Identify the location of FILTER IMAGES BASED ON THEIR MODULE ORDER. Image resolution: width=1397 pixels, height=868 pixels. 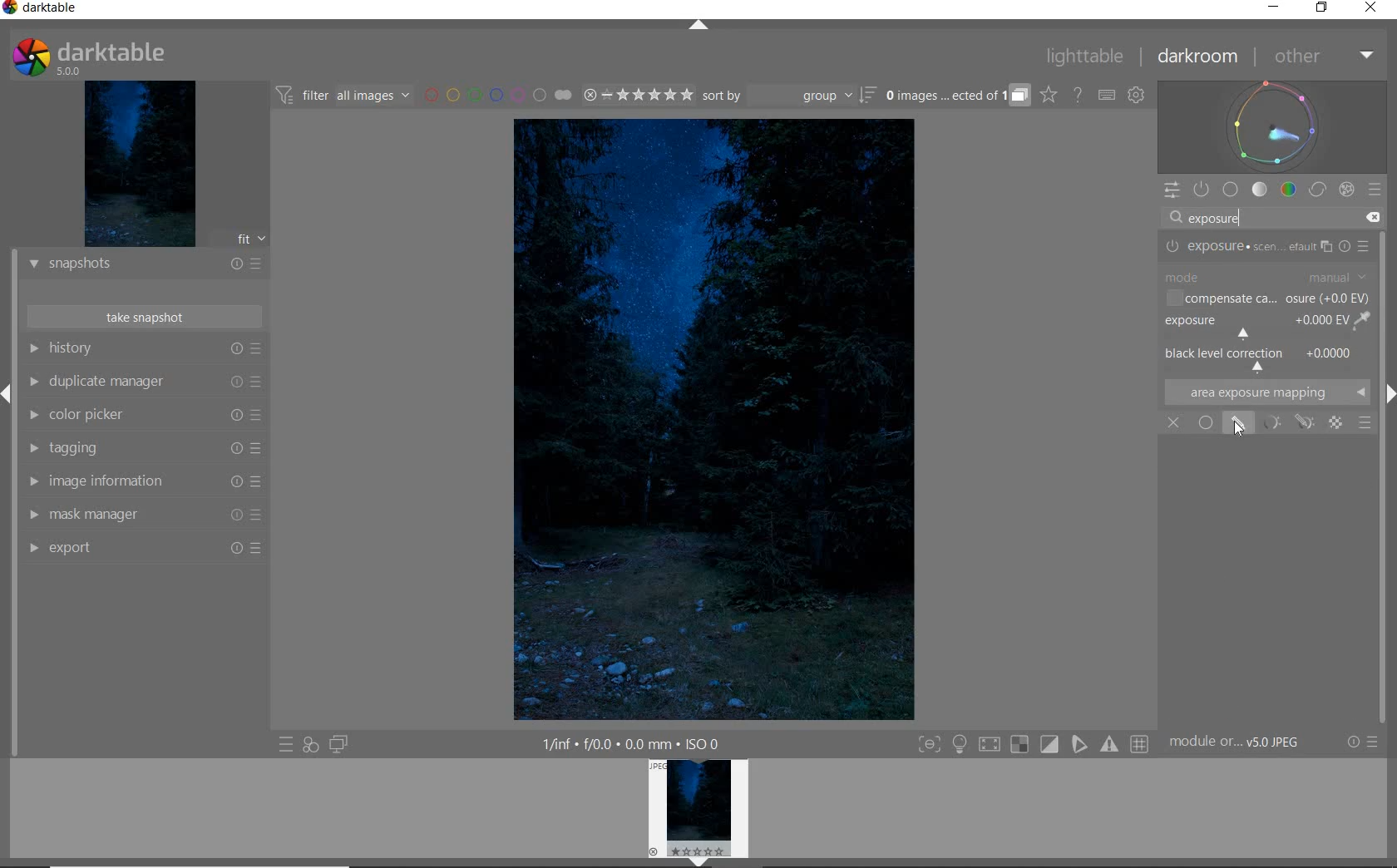
(345, 96).